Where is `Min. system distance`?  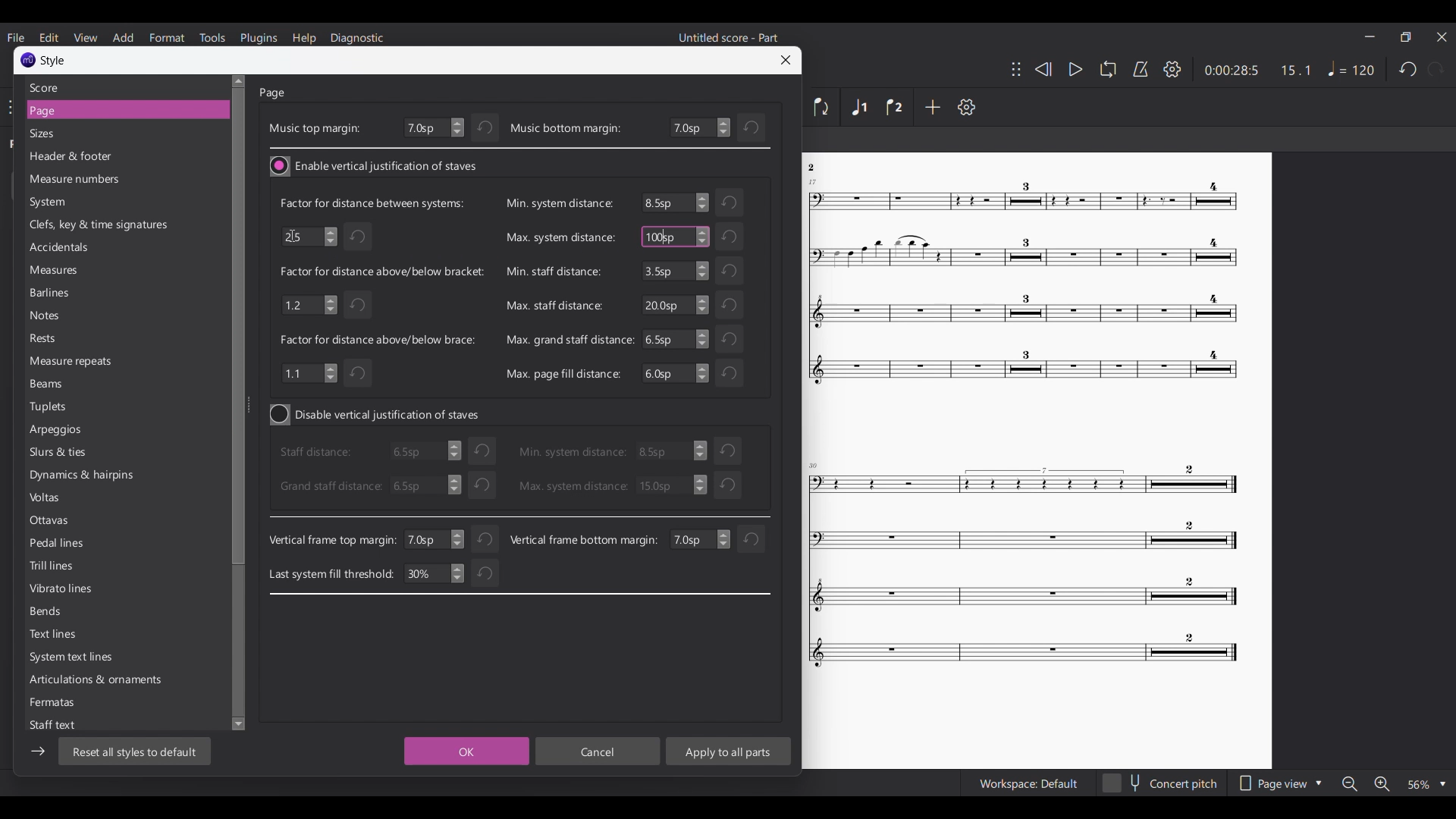
Min. system distance is located at coordinates (572, 451).